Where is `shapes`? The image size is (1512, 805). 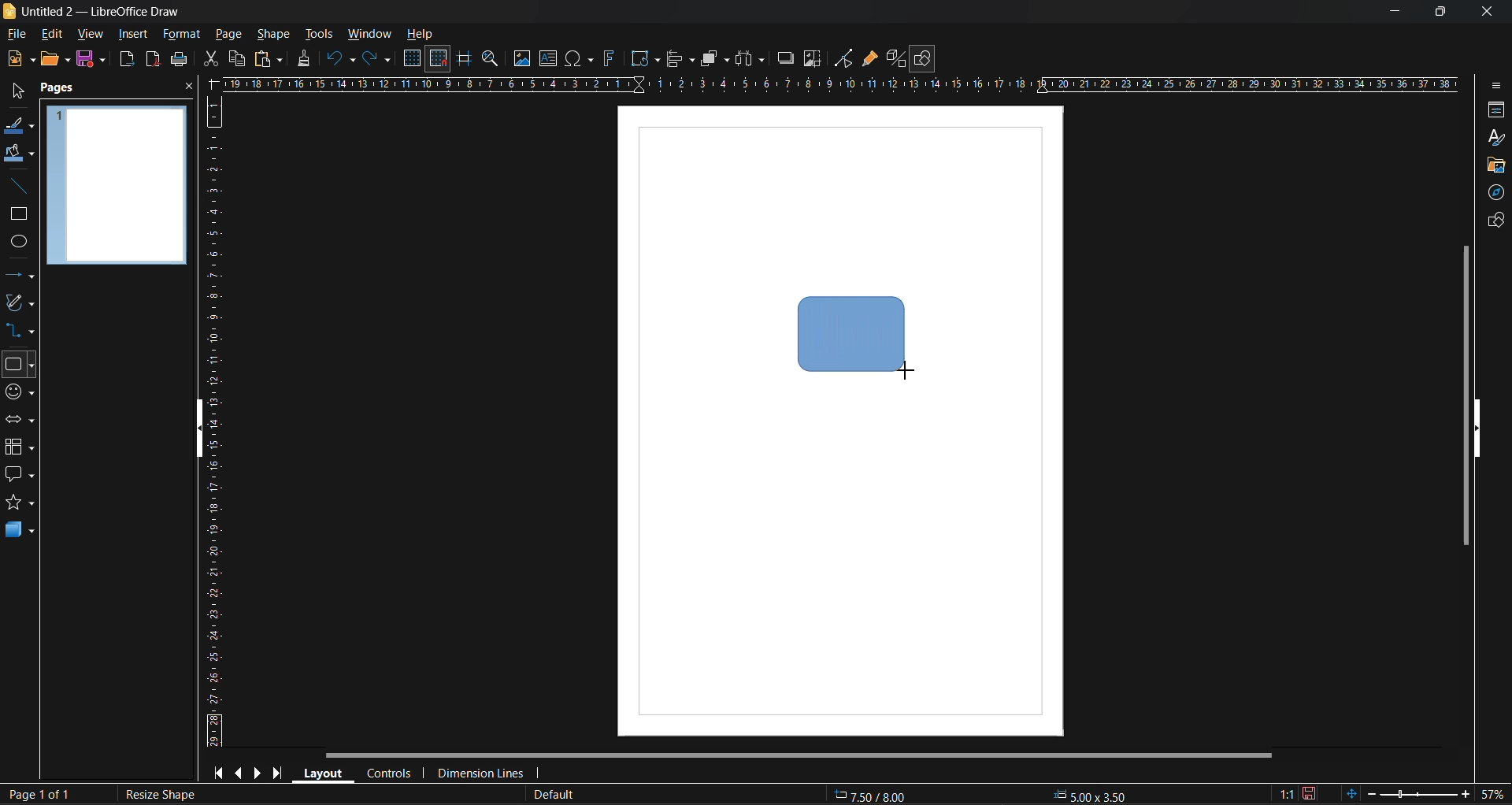
shapes is located at coordinates (1494, 220).